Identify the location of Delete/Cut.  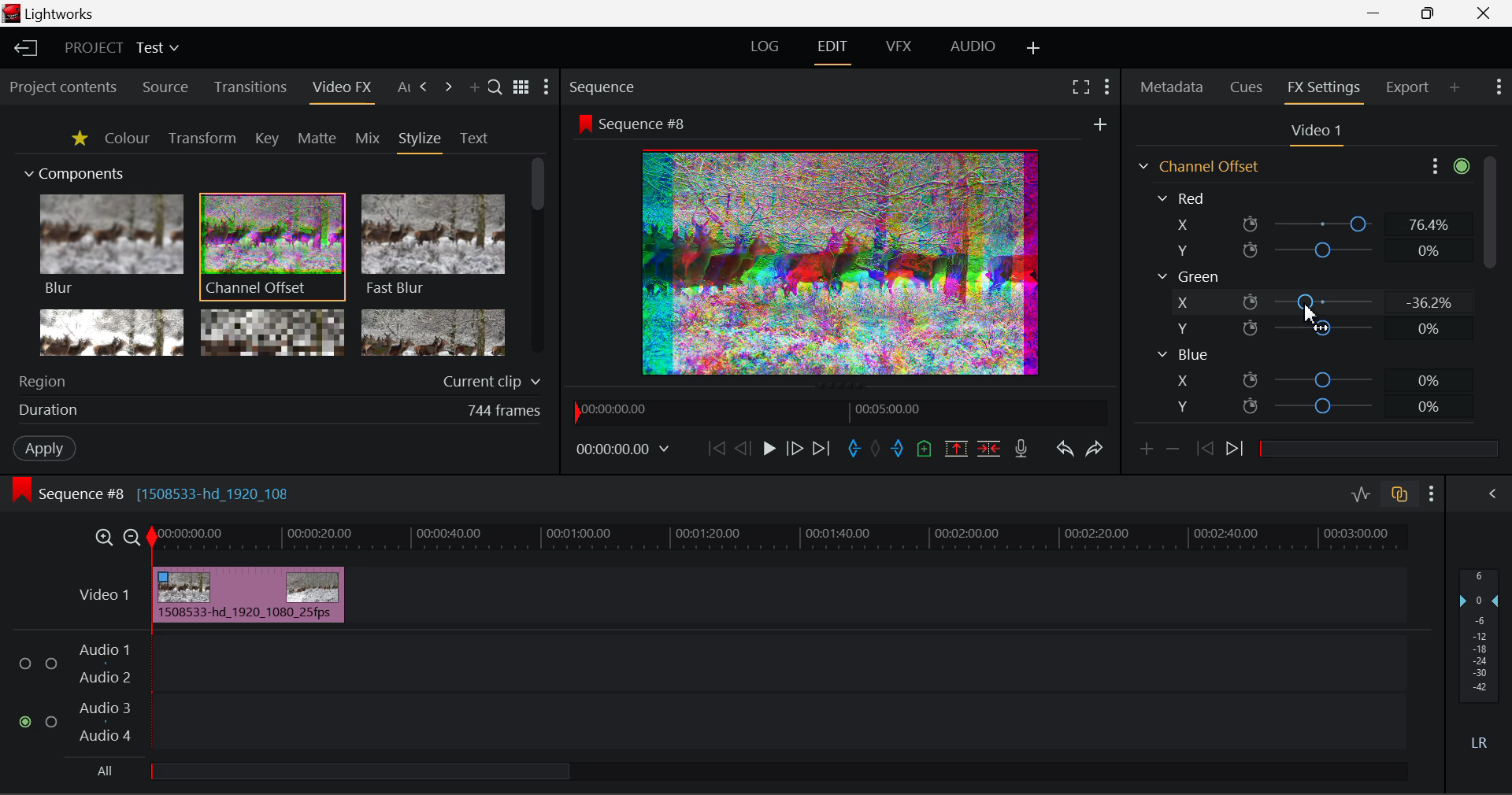
(991, 449).